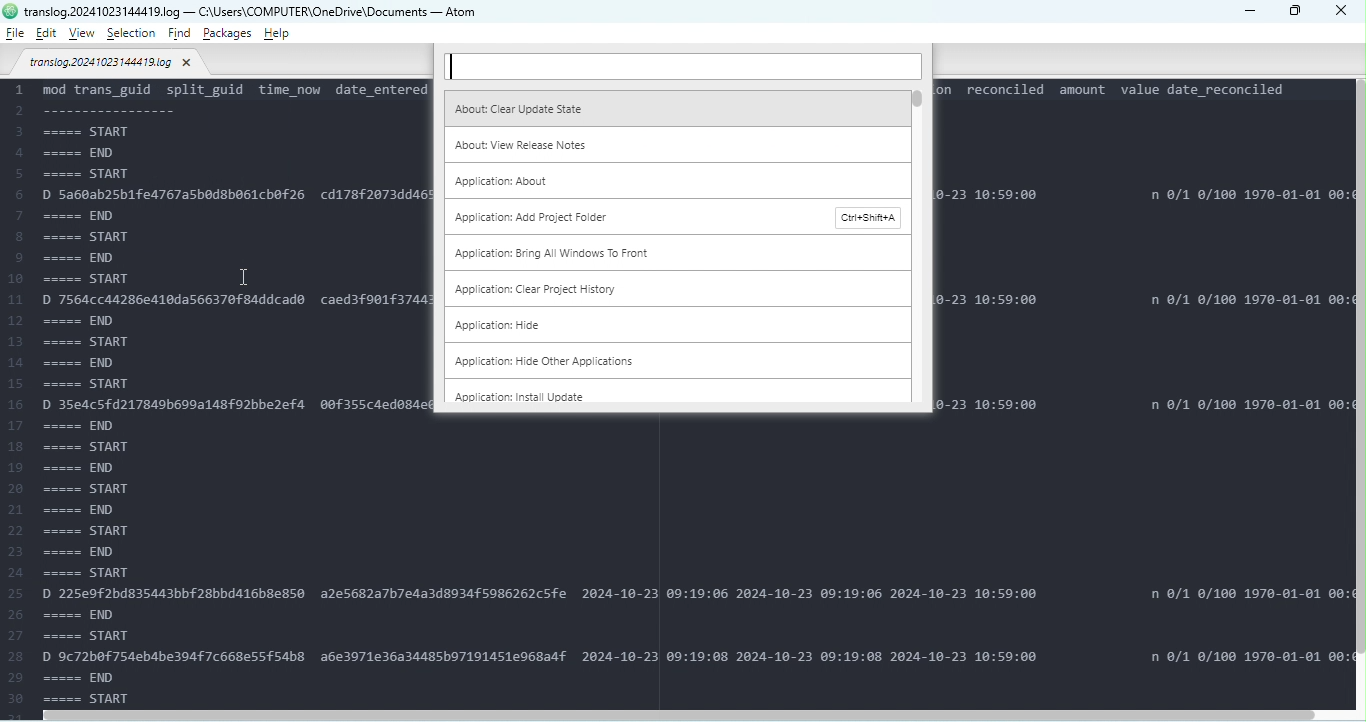  What do you see at coordinates (669, 289) in the screenshot?
I see `Application: Clear project history` at bounding box center [669, 289].